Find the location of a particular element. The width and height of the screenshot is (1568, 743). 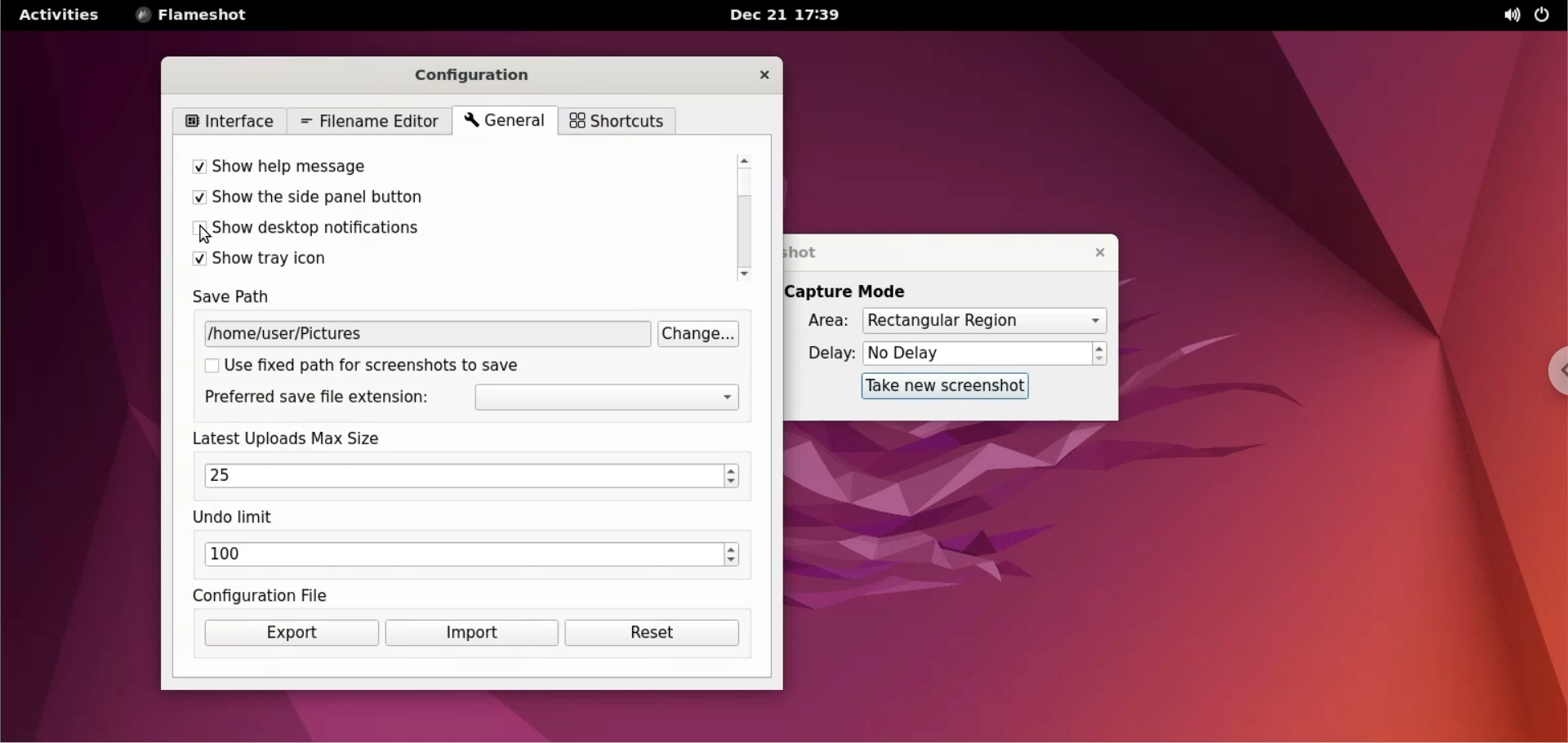

use fixed path for screenshot to save checkbox is located at coordinates (383, 365).